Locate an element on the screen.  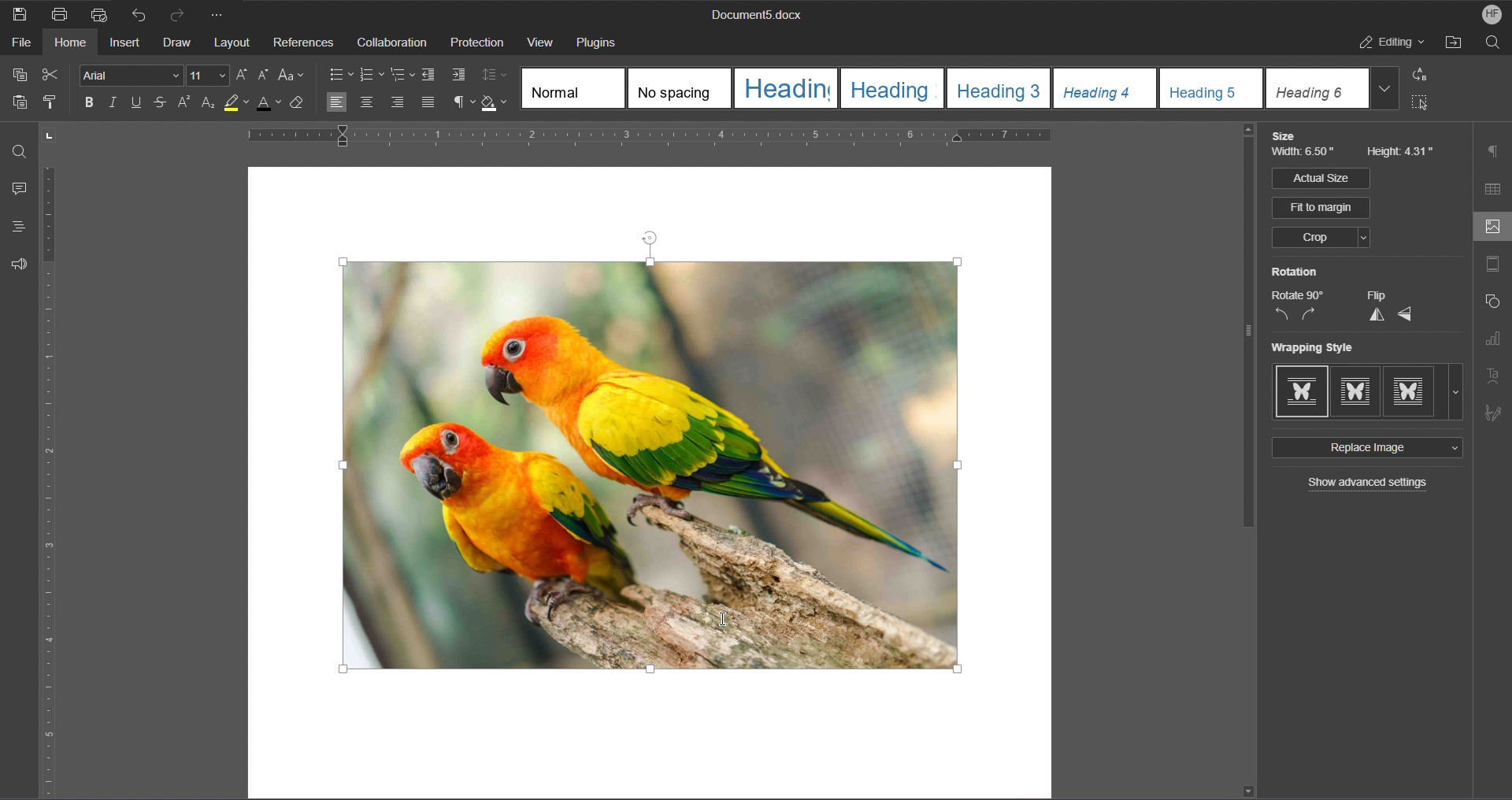
Height is located at coordinates (1402, 153).